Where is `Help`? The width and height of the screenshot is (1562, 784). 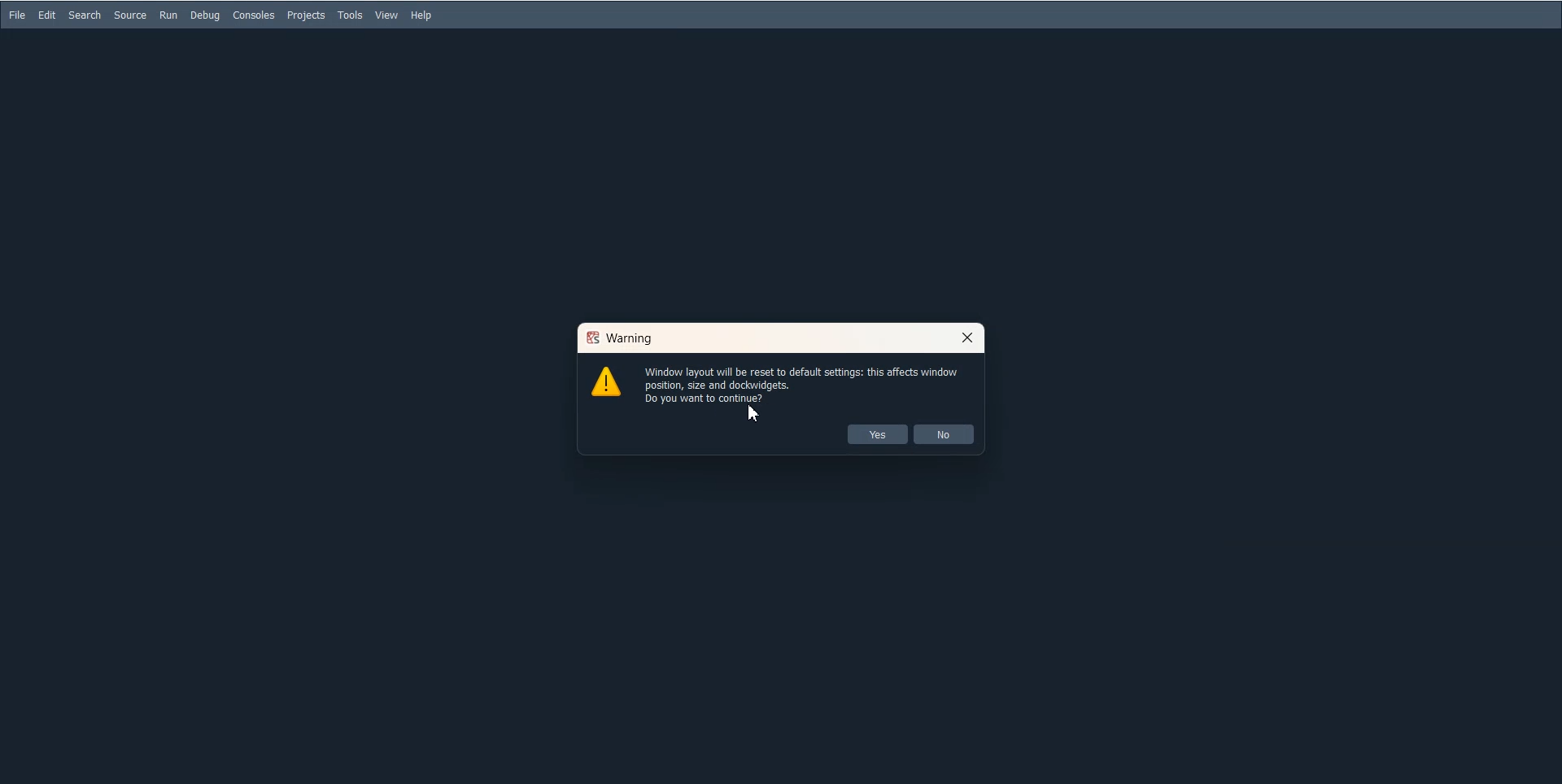
Help is located at coordinates (421, 15).